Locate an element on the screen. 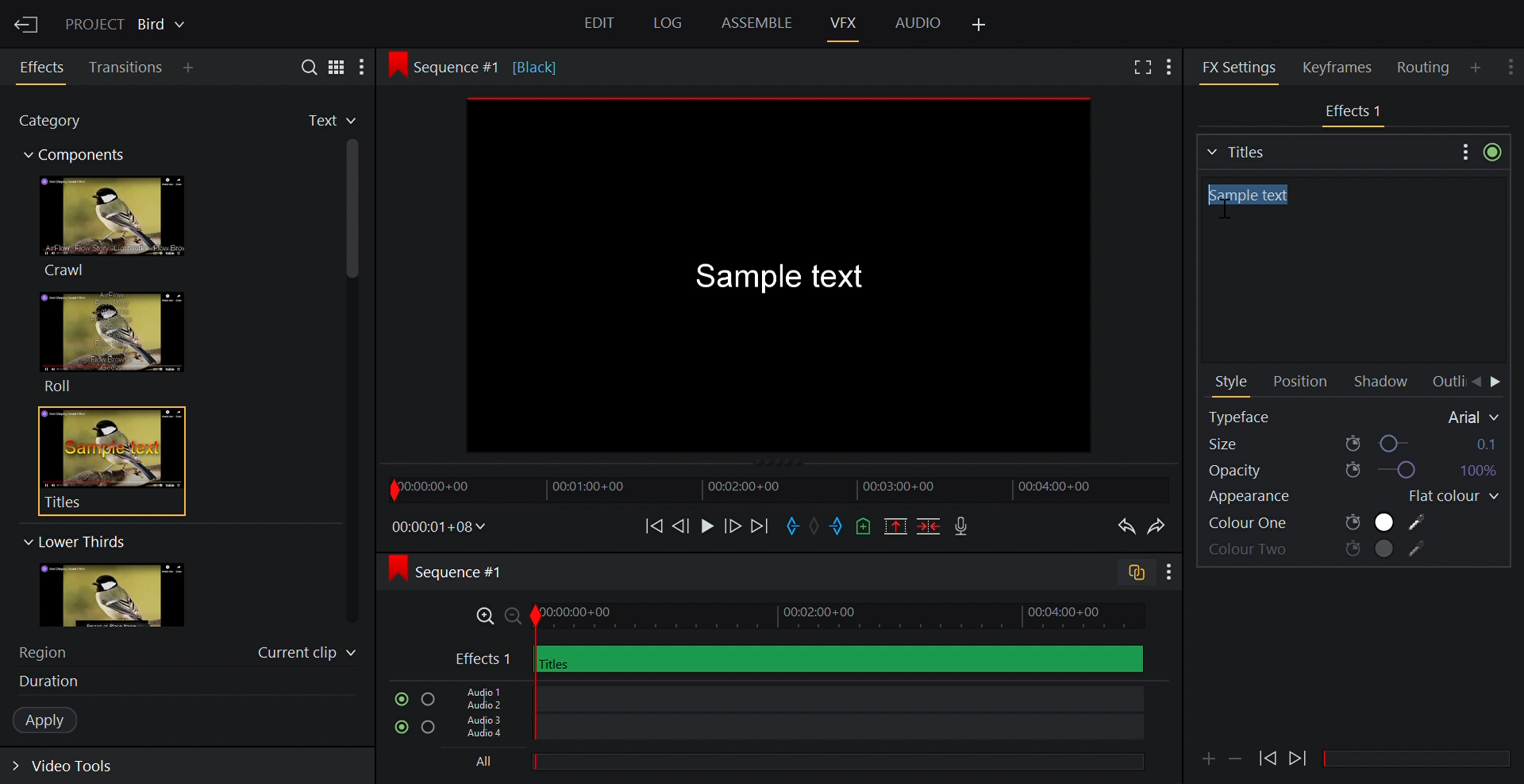 Image resolution: width=1524 pixels, height=784 pixels. Add Panel is located at coordinates (192, 69).